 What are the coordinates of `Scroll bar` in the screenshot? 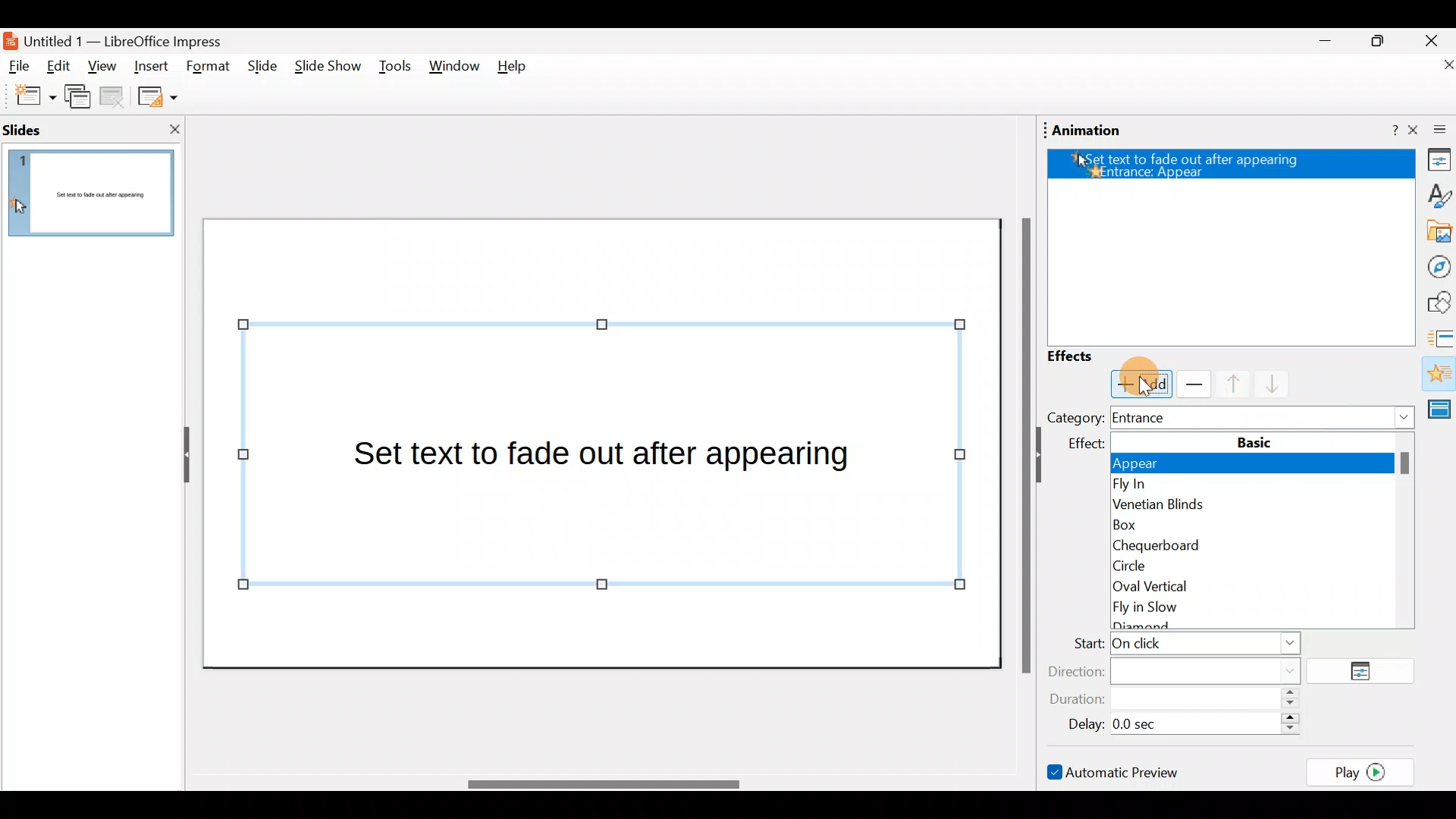 It's located at (601, 784).